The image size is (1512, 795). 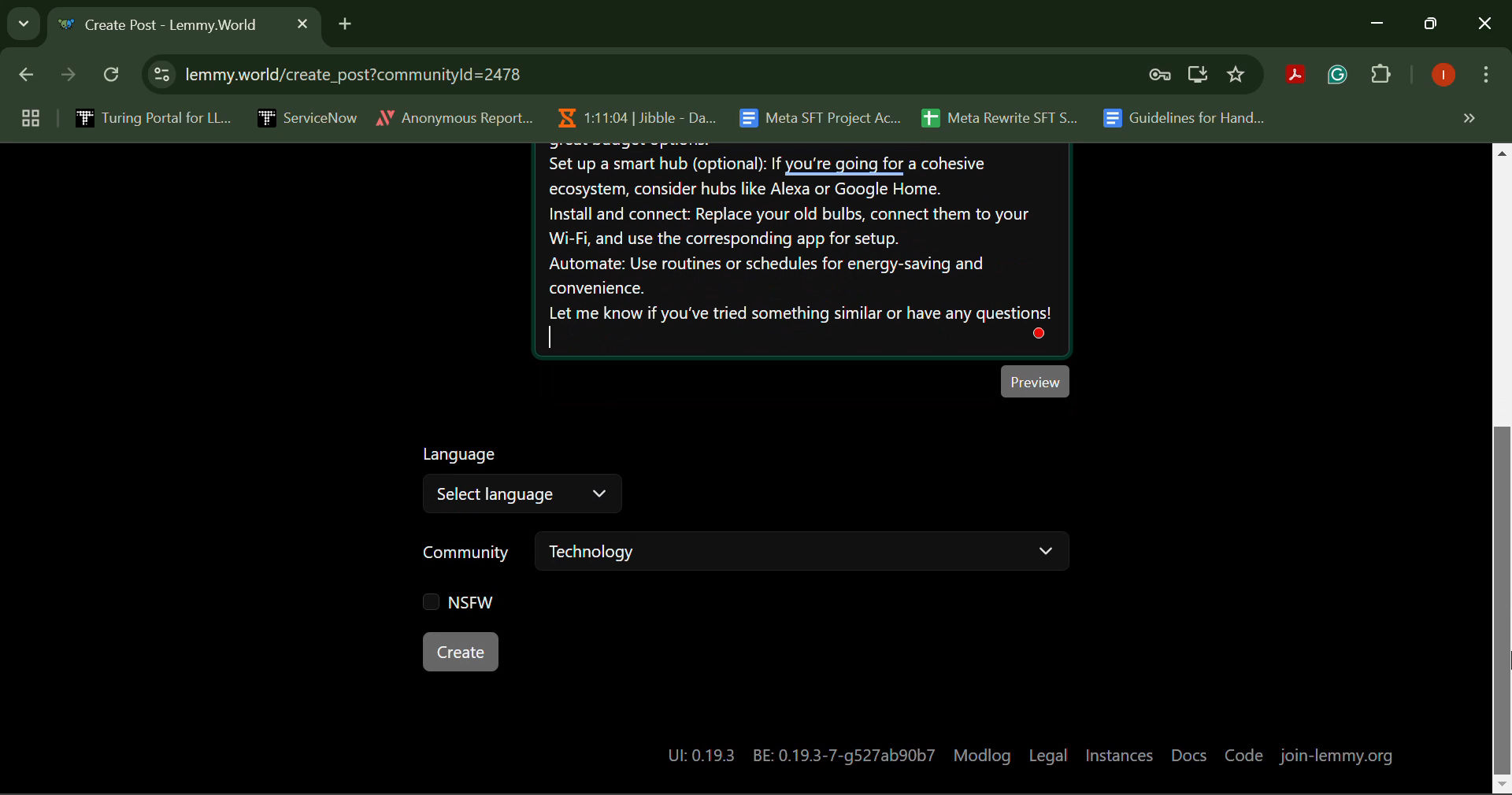 I want to click on Docs, so click(x=1190, y=749).